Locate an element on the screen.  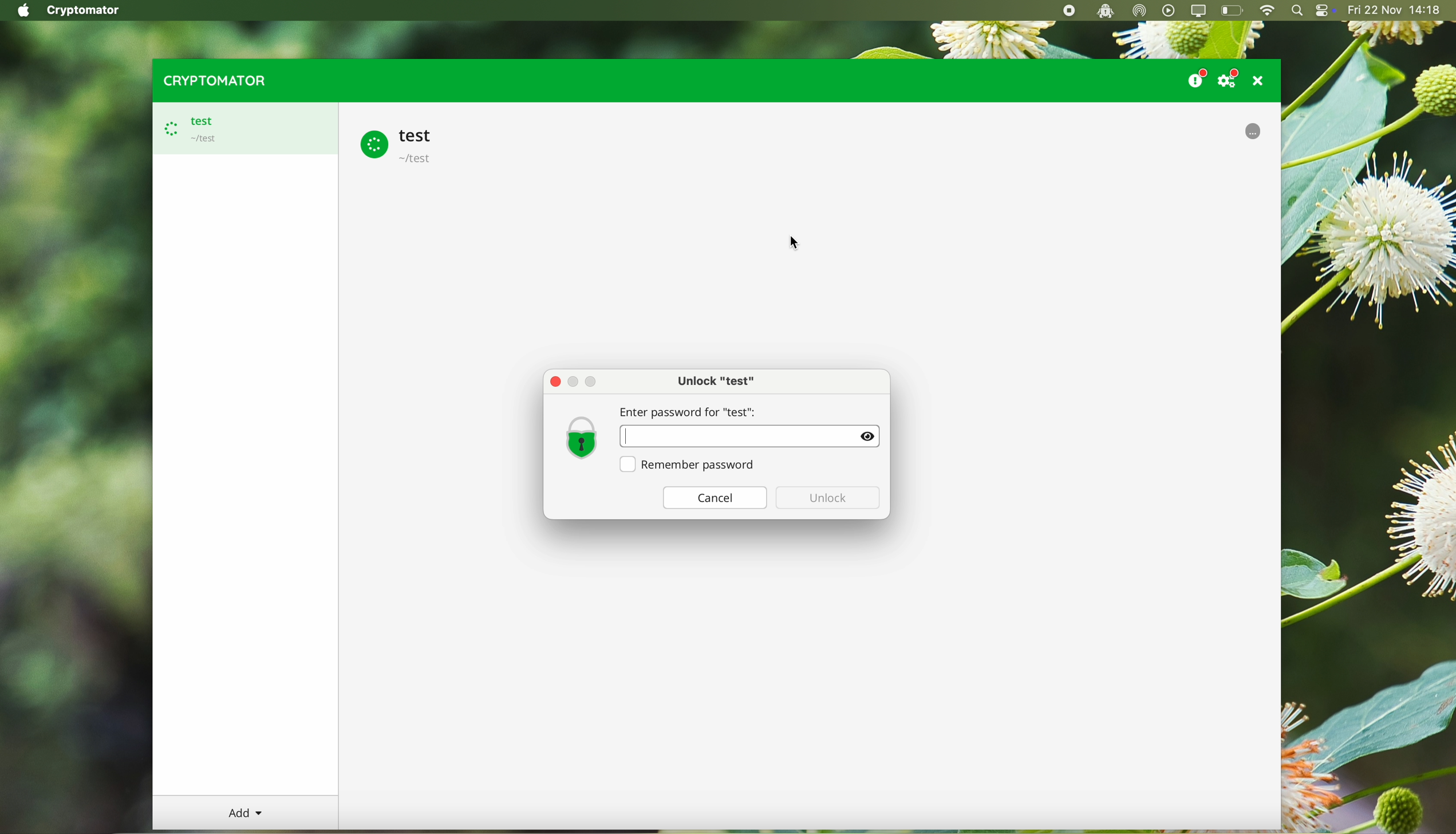
lock icon is located at coordinates (581, 436).